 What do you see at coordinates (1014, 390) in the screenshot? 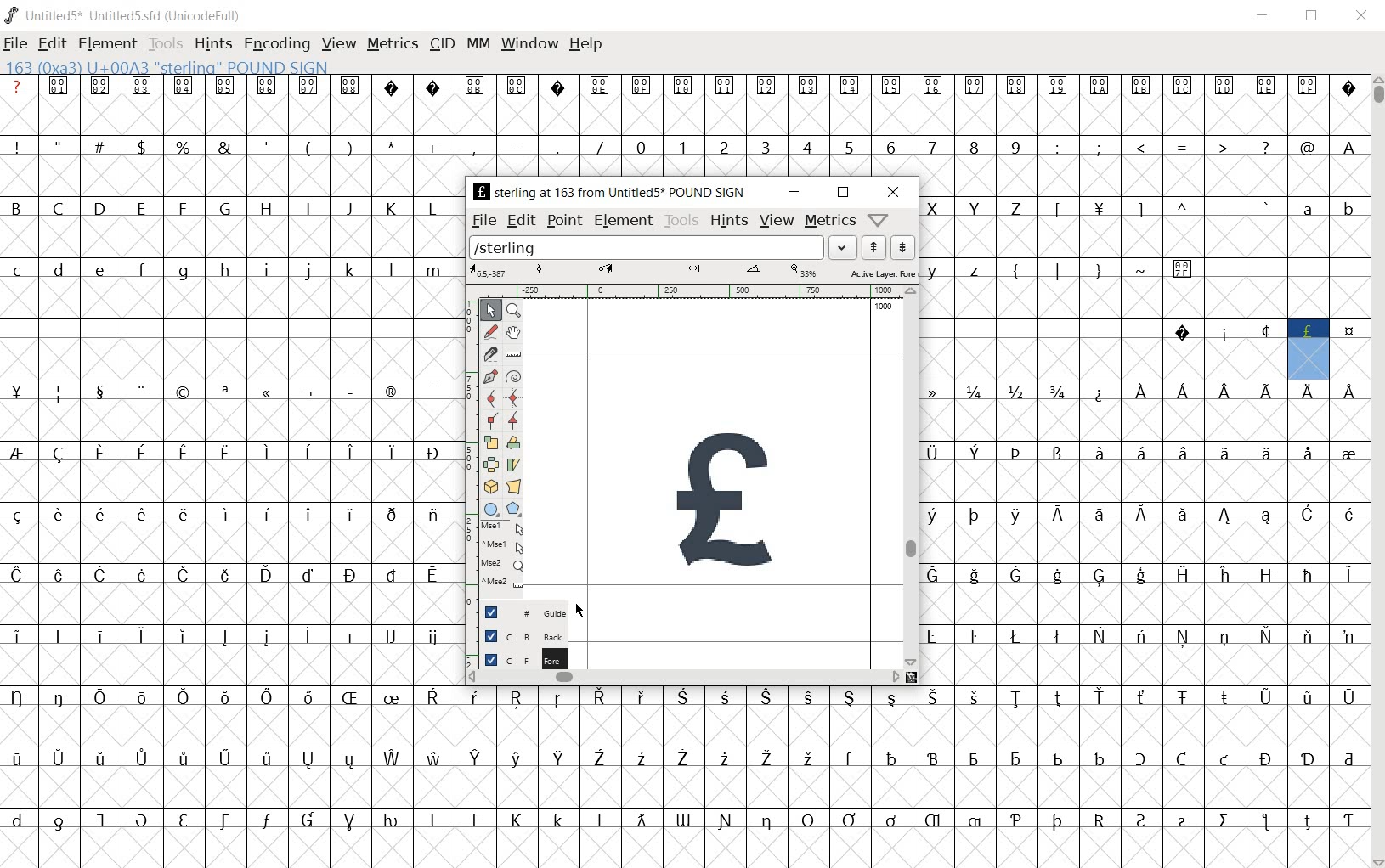
I see `1/2` at bounding box center [1014, 390].